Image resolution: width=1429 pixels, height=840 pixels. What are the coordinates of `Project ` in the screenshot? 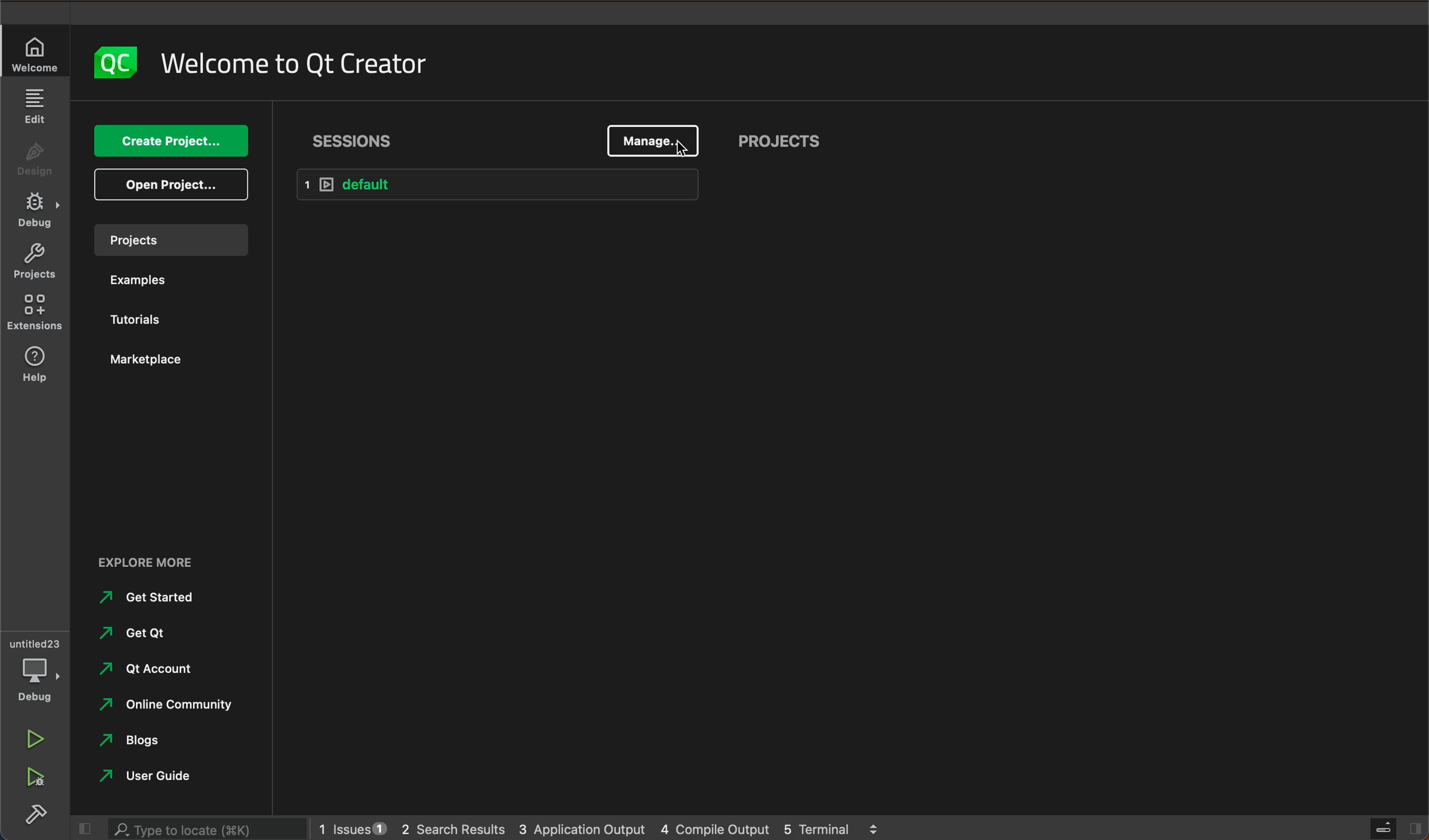 It's located at (34, 264).